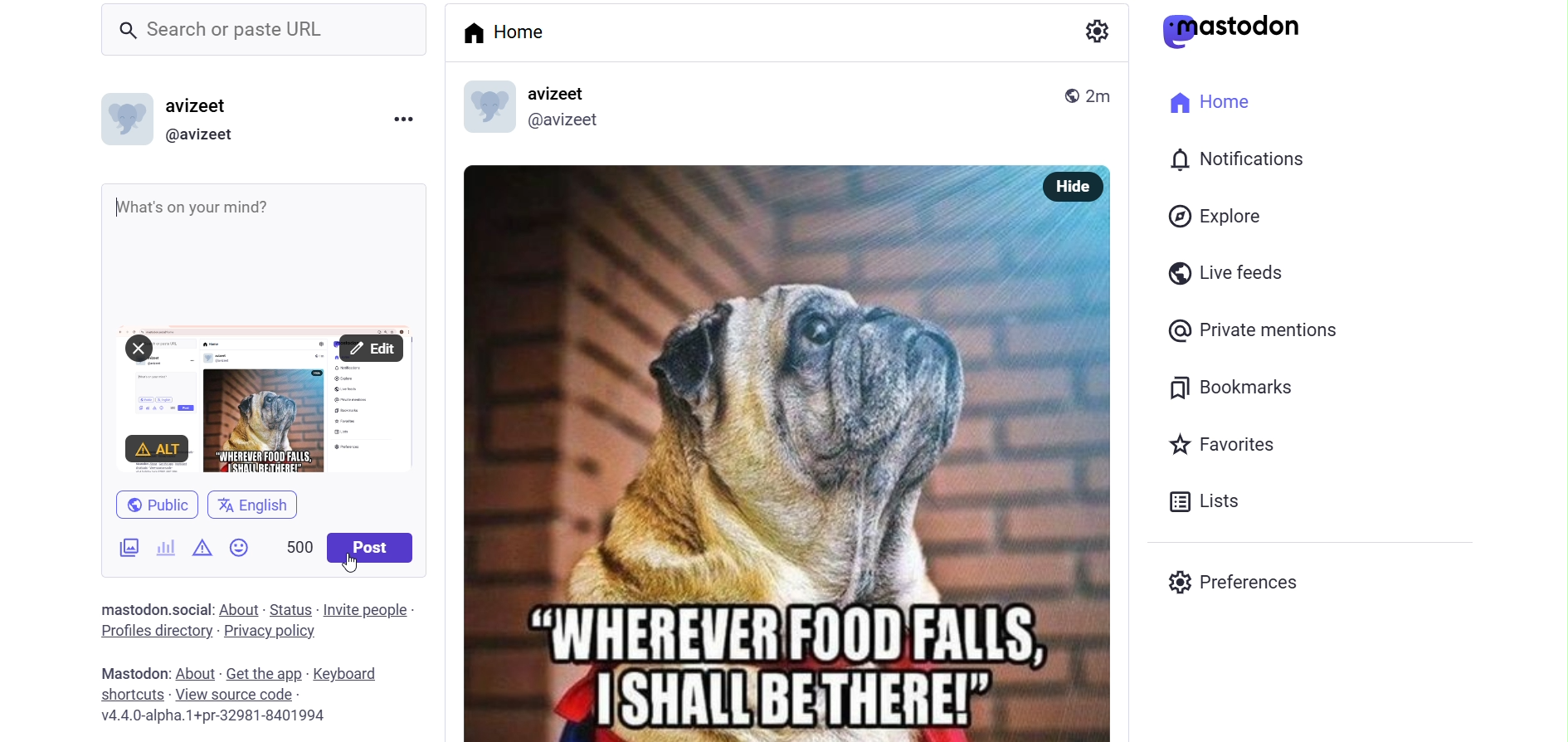  What do you see at coordinates (352, 673) in the screenshot?
I see `keyboard` at bounding box center [352, 673].